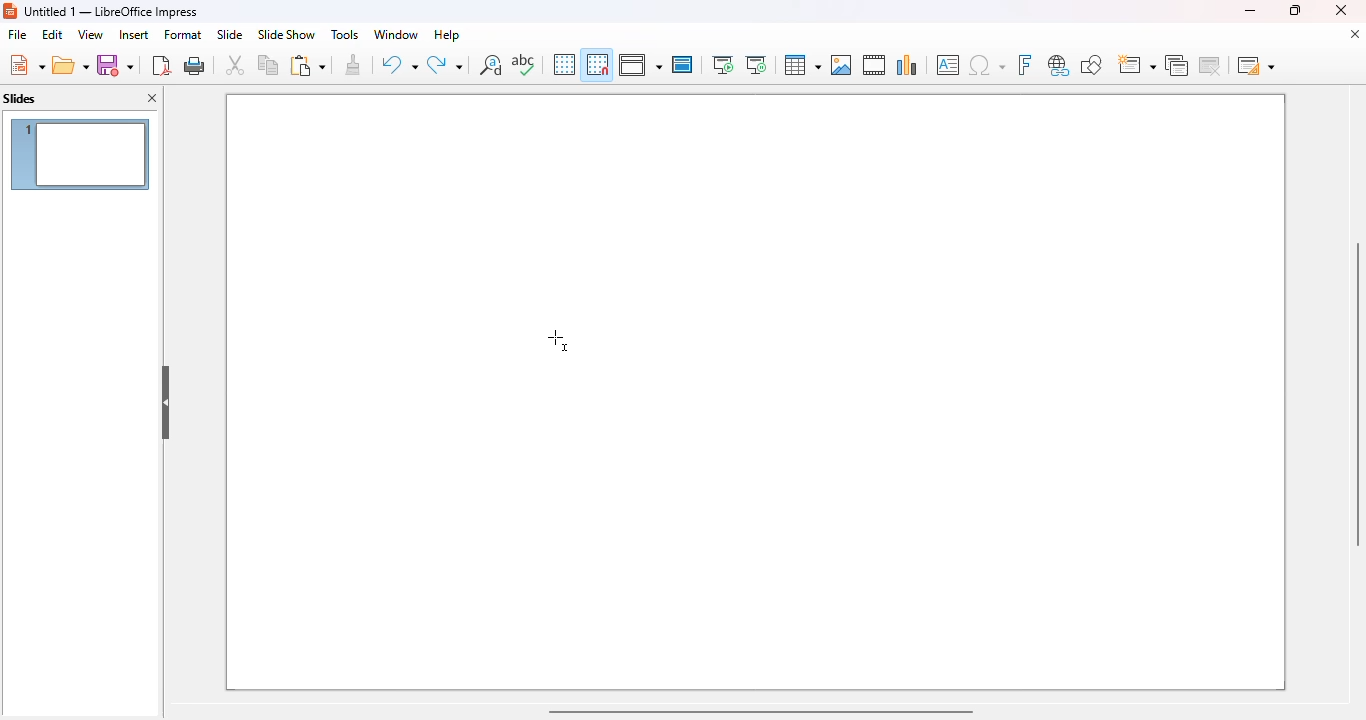  Describe the element at coordinates (1213, 65) in the screenshot. I see `delete slide` at that location.